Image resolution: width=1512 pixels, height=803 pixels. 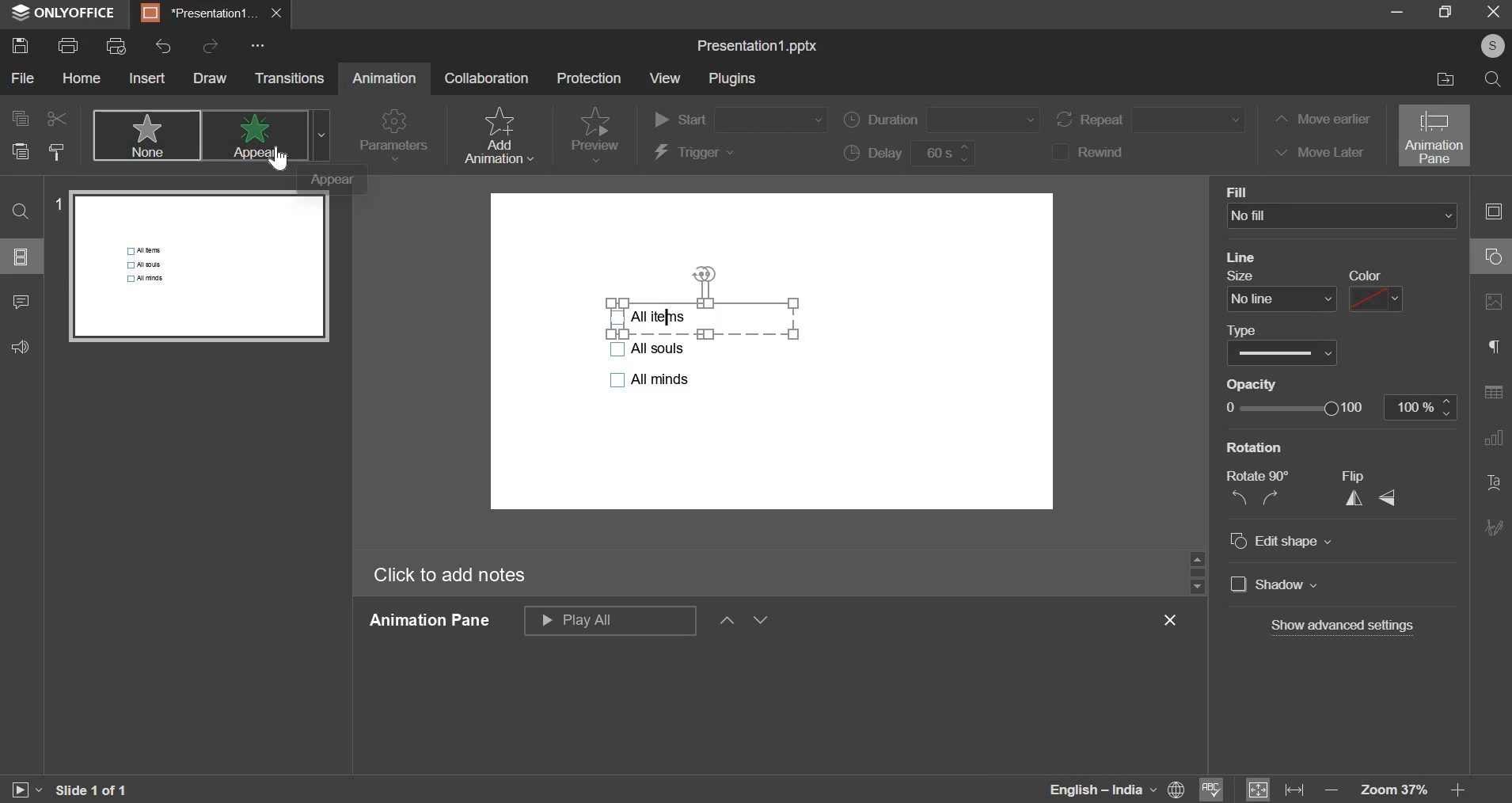 I want to click on none, so click(x=145, y=135).